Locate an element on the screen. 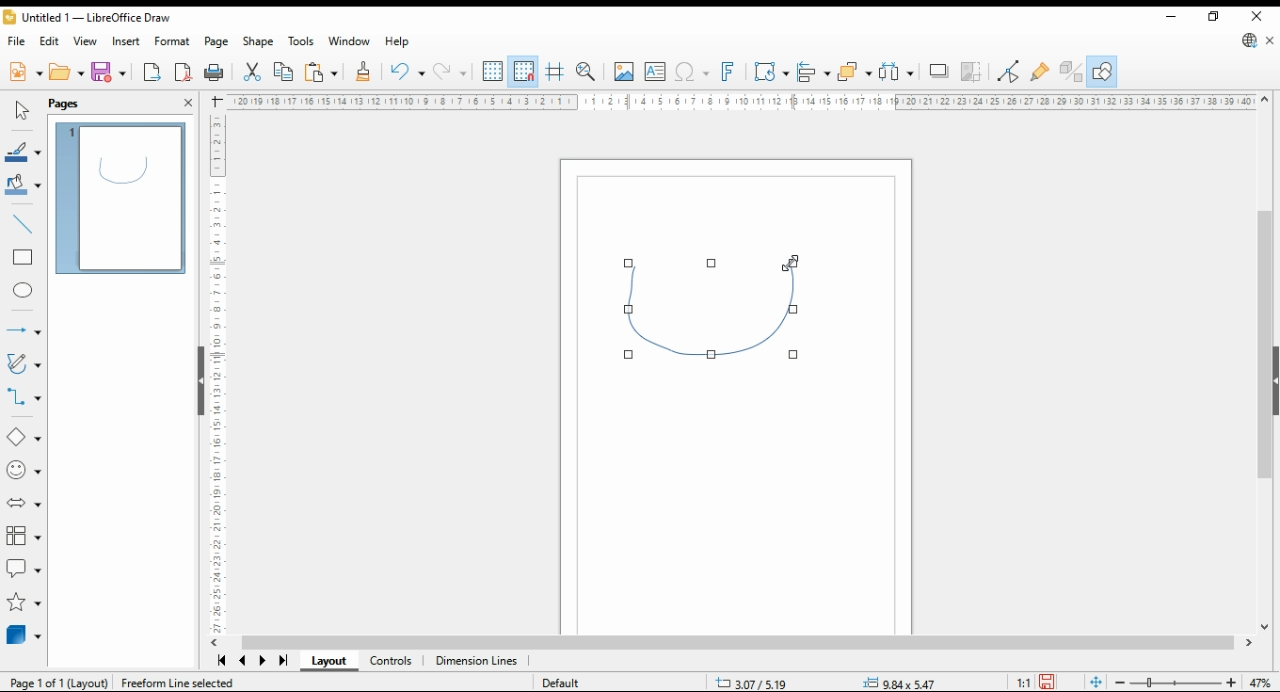 Image resolution: width=1280 pixels, height=692 pixels. copy is located at coordinates (282, 73).